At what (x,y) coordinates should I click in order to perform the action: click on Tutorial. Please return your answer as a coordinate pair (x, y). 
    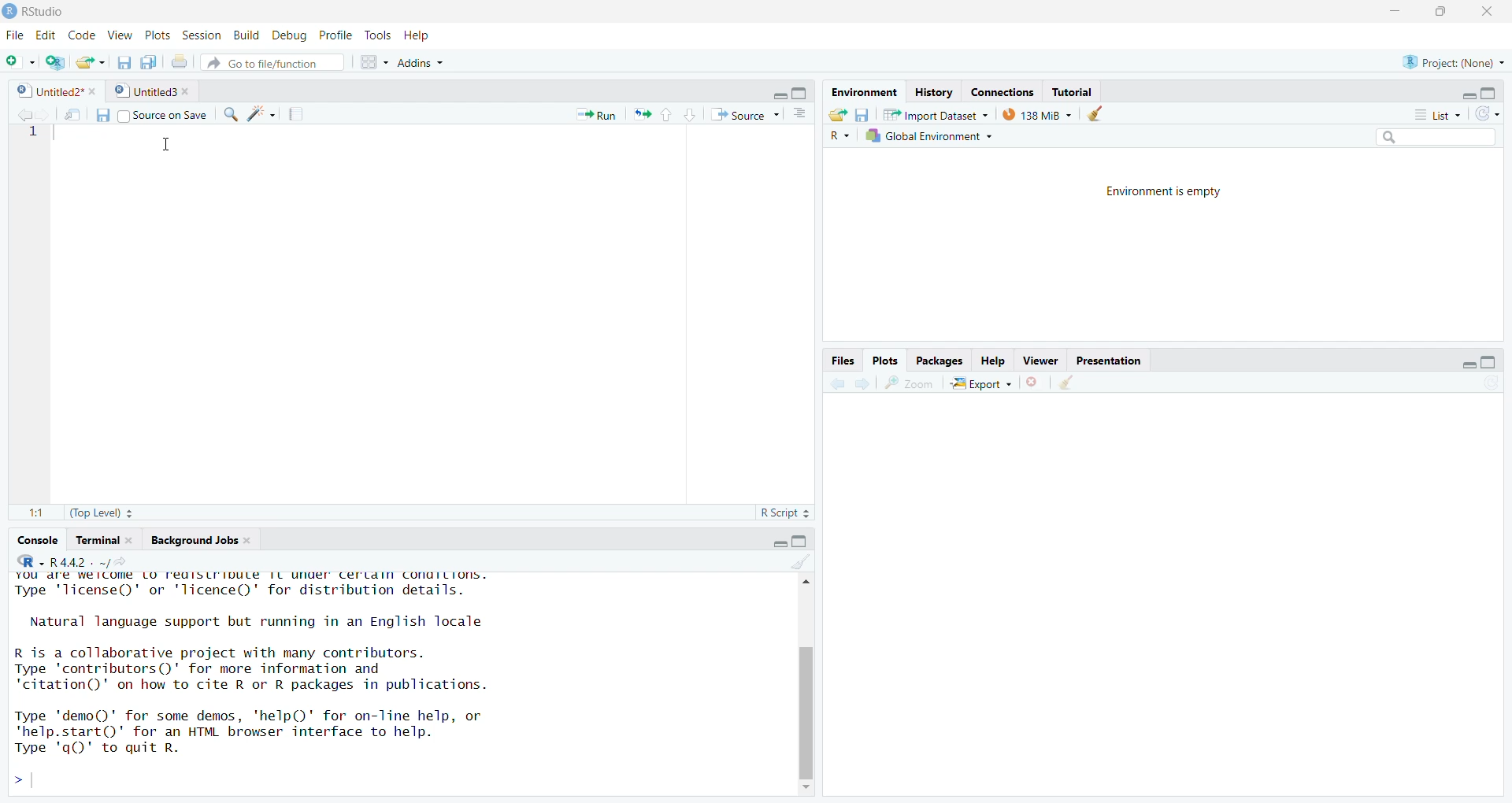
    Looking at the image, I should click on (1078, 90).